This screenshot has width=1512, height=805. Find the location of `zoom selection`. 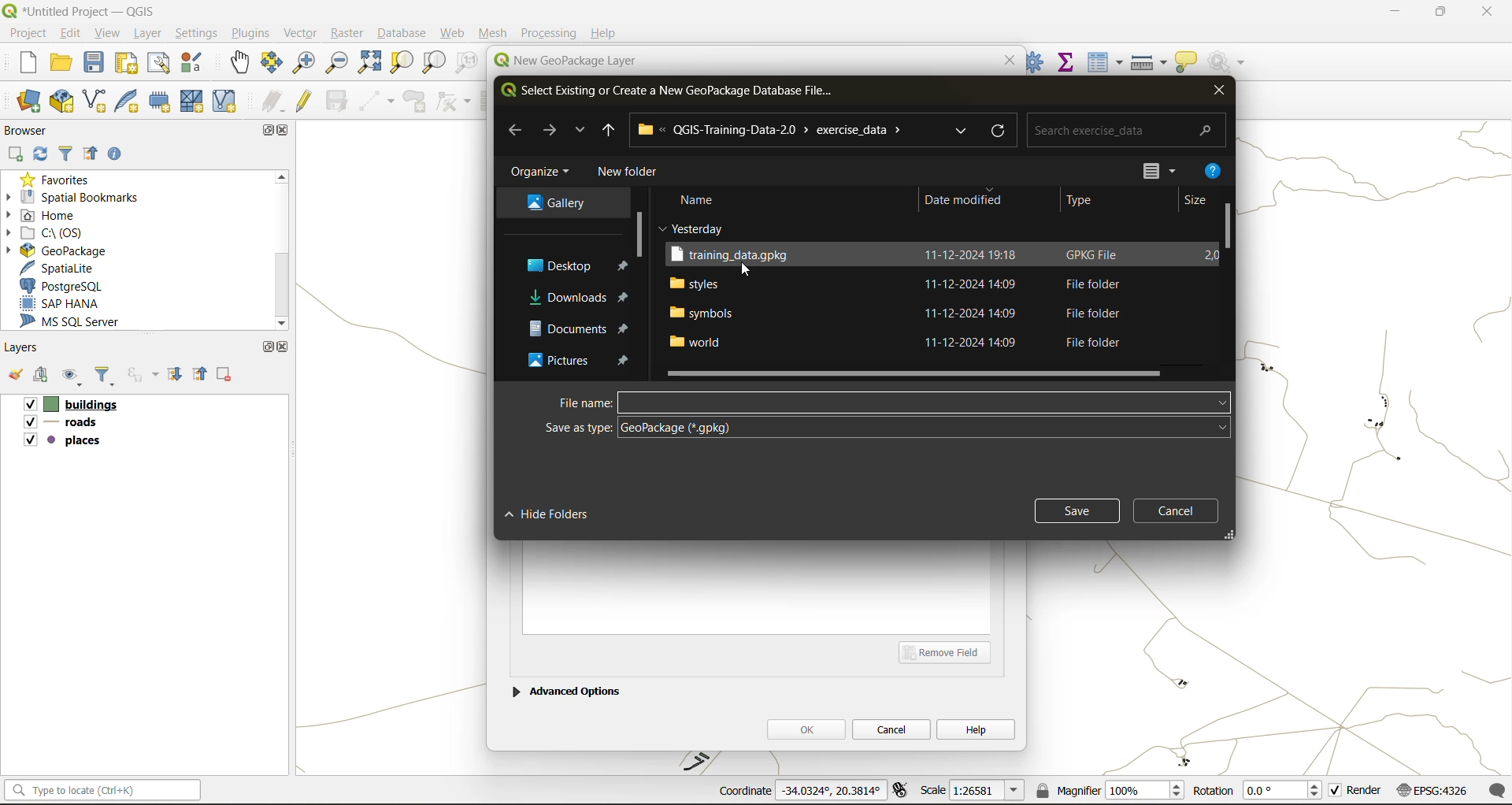

zoom selection is located at coordinates (404, 62).